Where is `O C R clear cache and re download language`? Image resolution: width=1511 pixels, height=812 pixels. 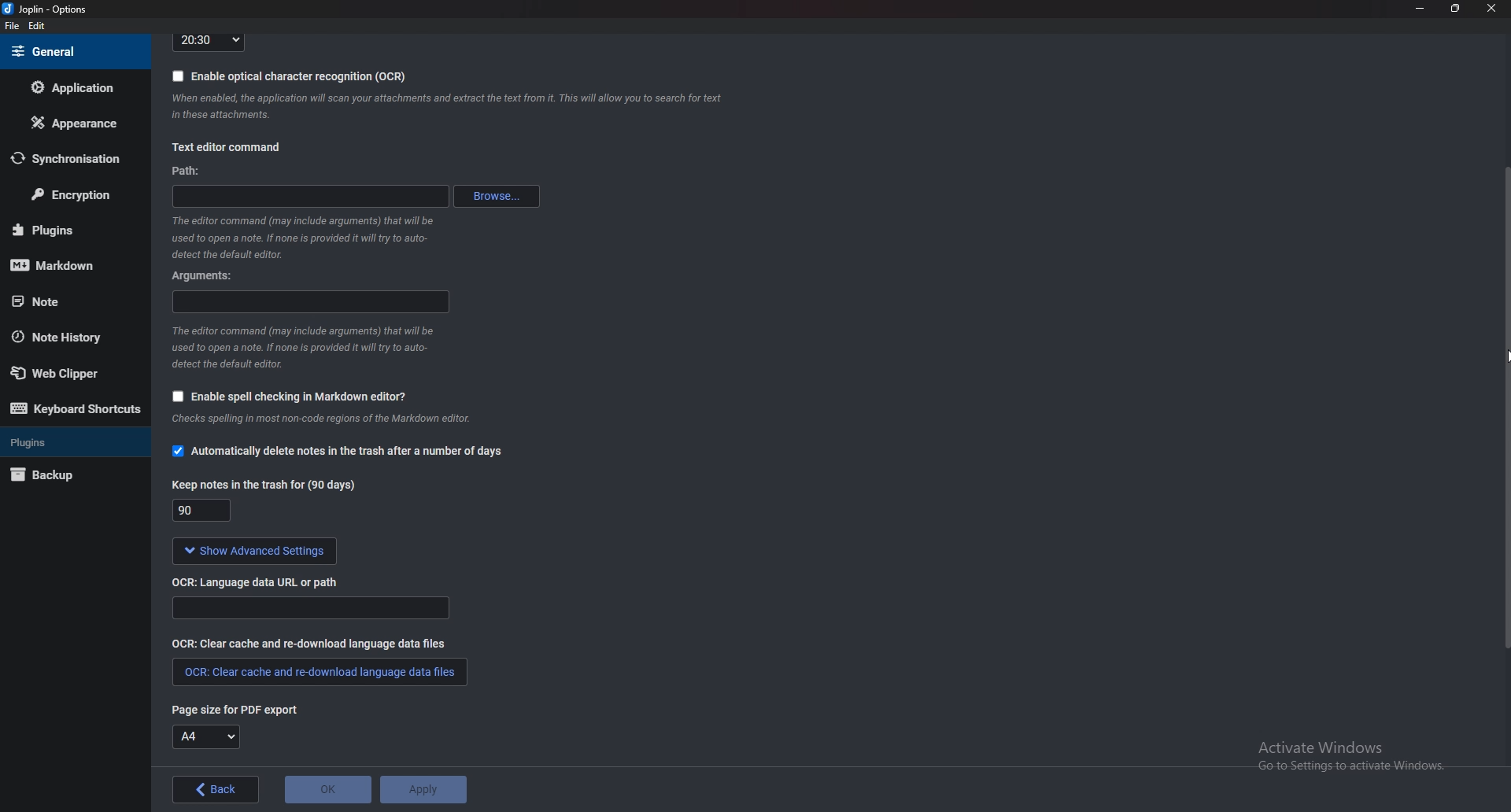
O C R clear cache and re download language is located at coordinates (312, 643).